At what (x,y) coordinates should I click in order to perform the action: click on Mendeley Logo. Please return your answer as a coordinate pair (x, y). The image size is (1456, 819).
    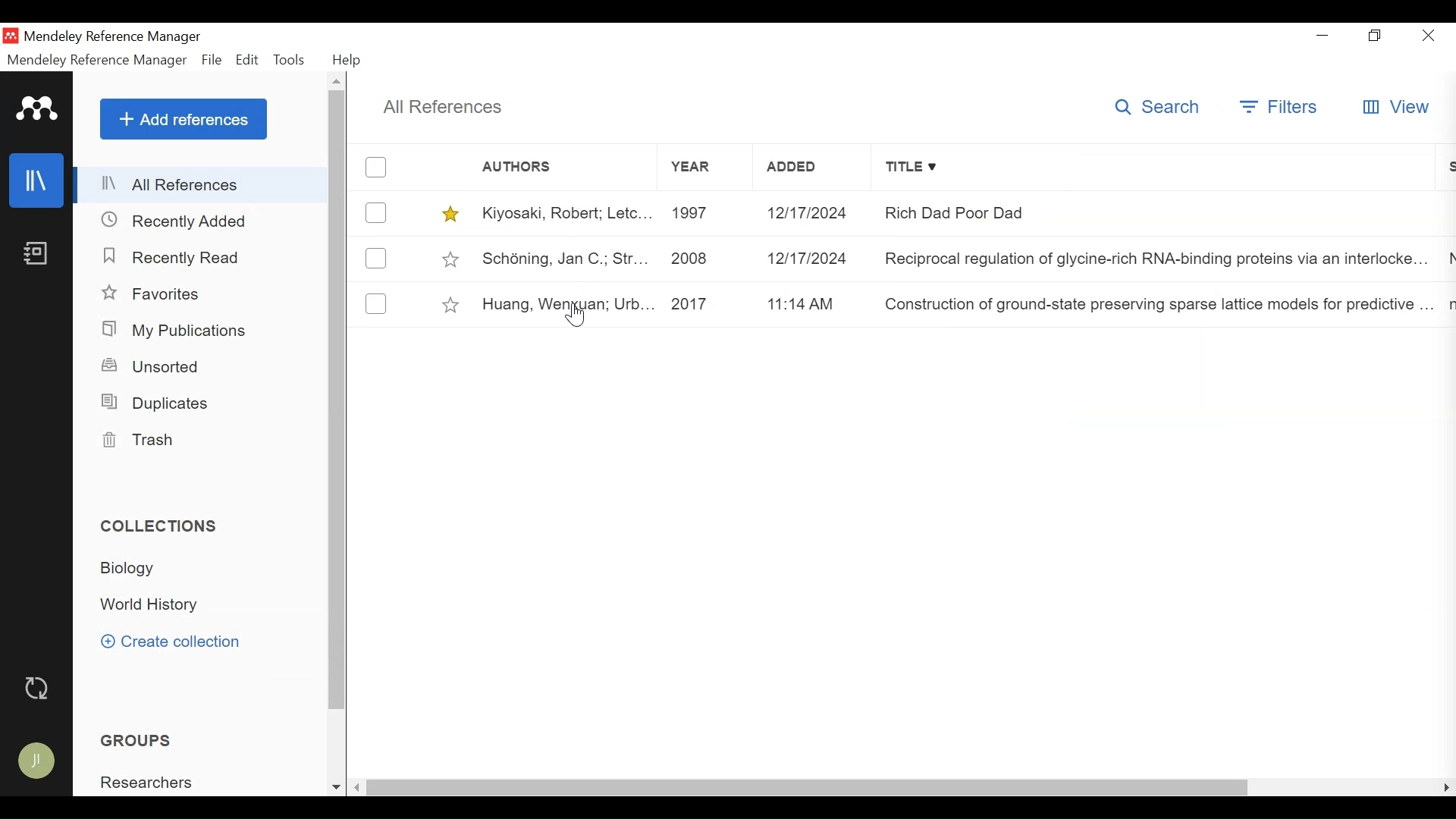
    Looking at the image, I should click on (37, 108).